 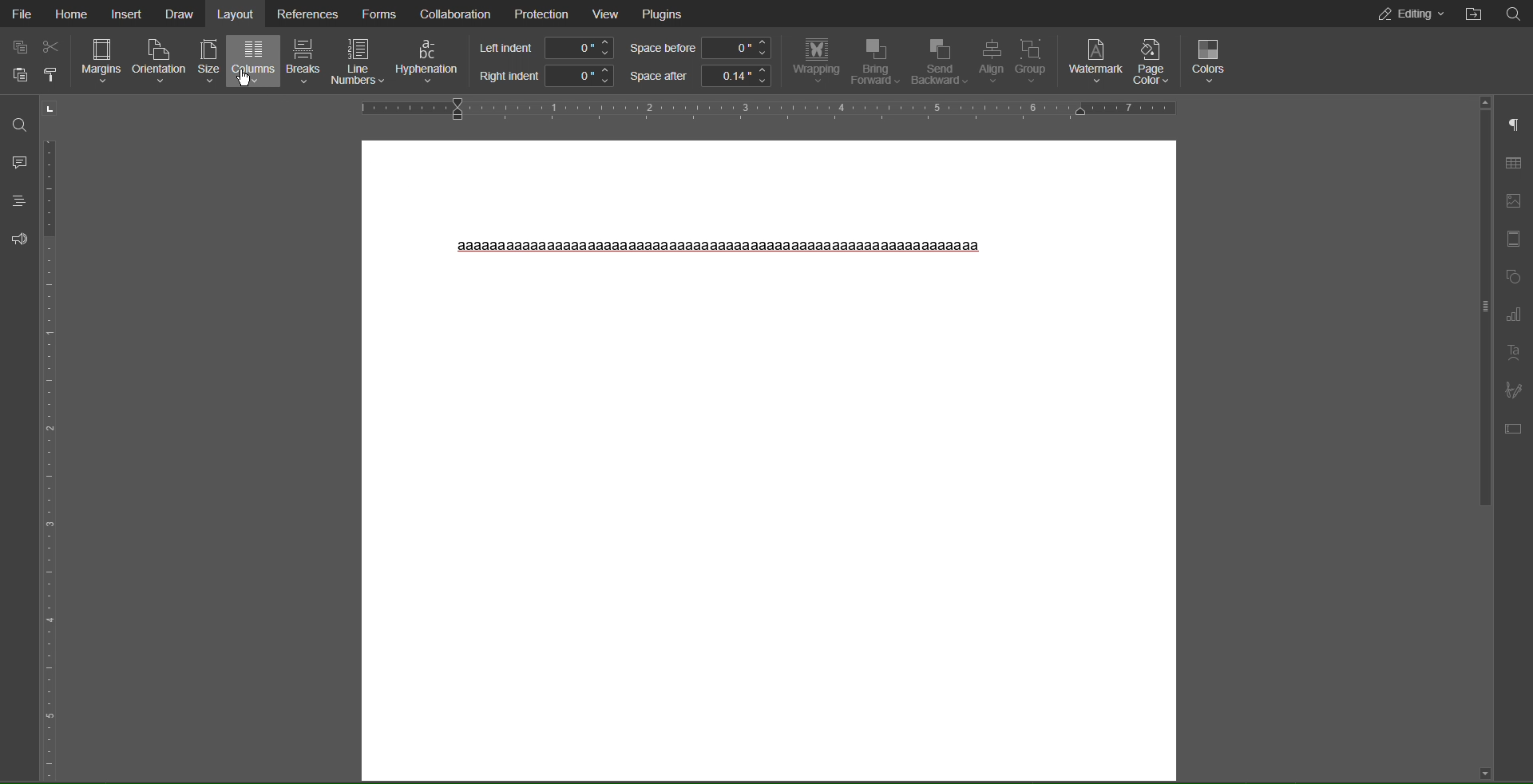 I want to click on Graph Settings, so click(x=1515, y=315).